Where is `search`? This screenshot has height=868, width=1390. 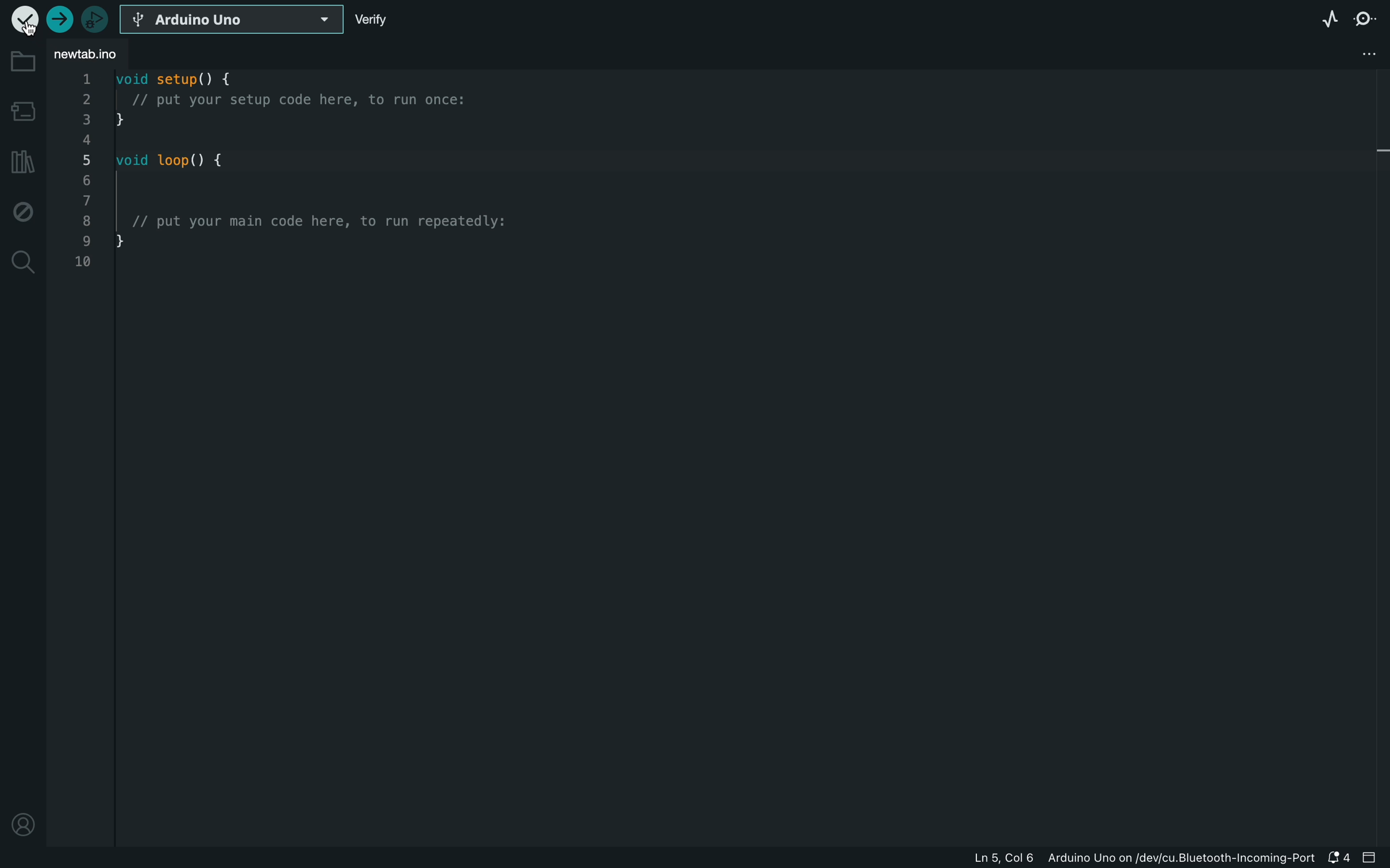 search is located at coordinates (20, 265).